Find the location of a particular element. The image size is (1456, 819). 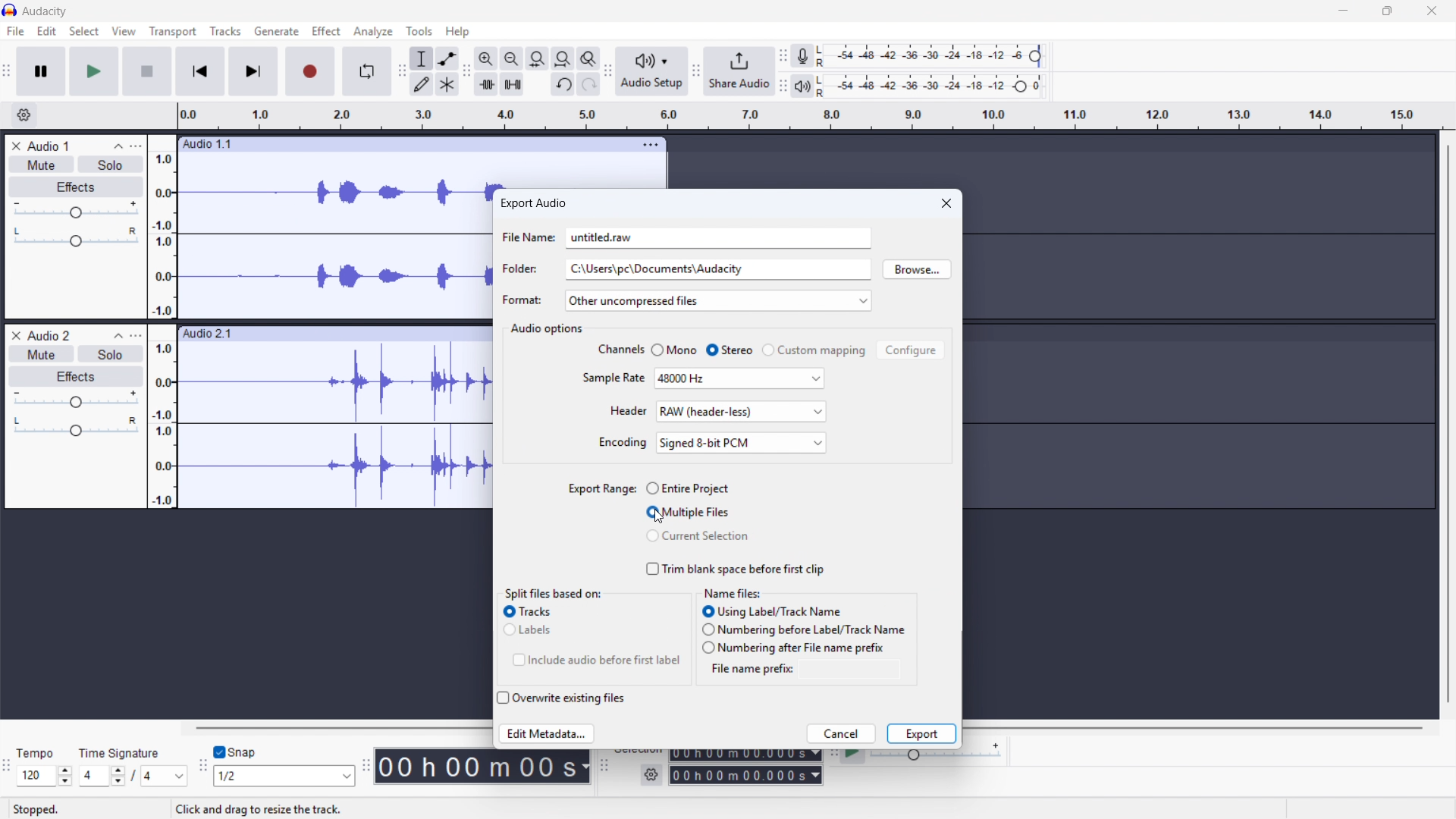

cursor  is located at coordinates (660, 516).